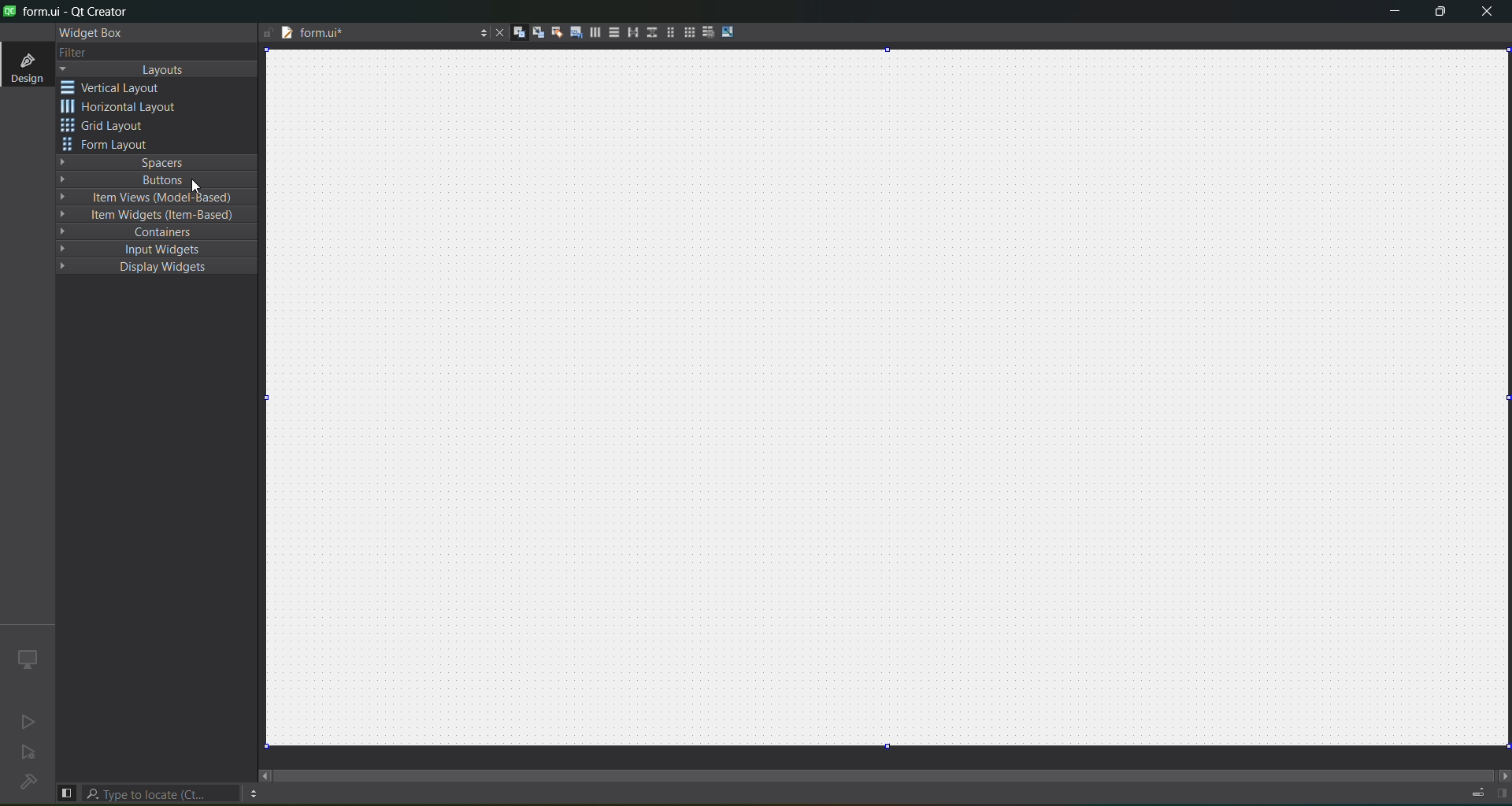  I want to click on grid layout, so click(108, 128).